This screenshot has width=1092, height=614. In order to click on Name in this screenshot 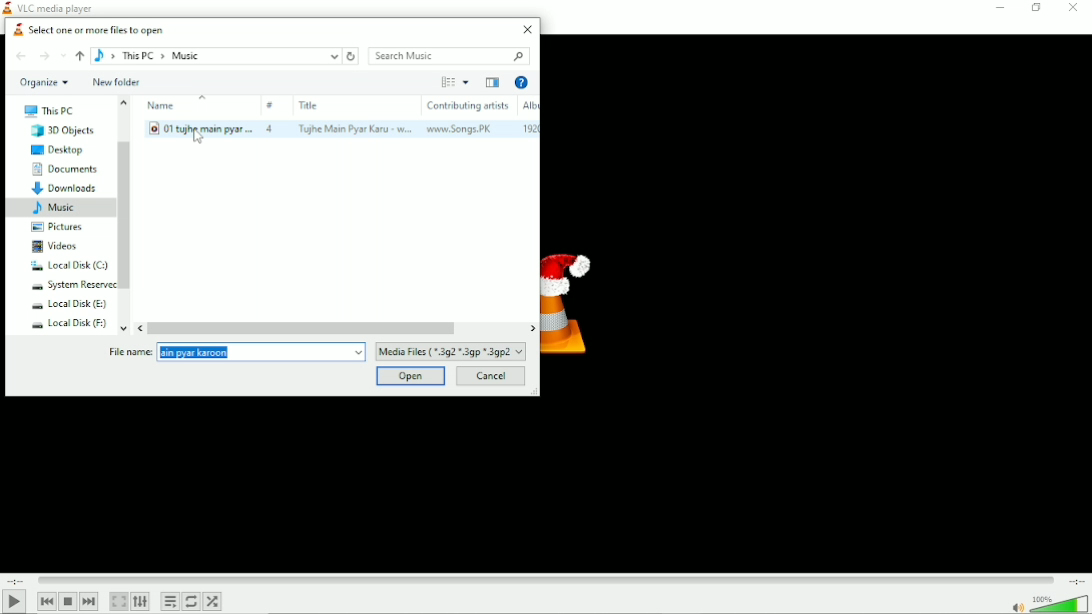, I will do `click(199, 120)`.